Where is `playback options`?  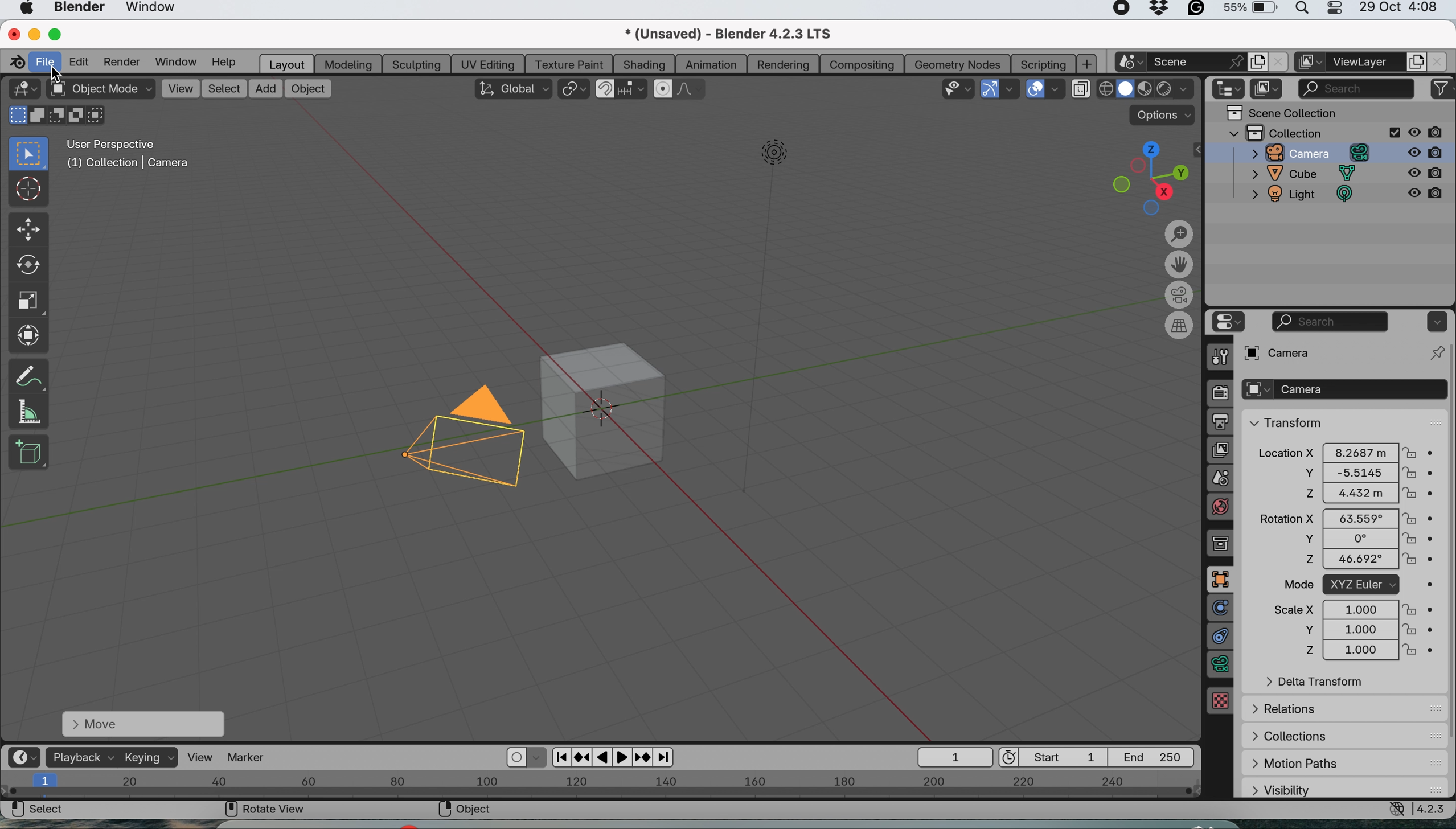 playback options is located at coordinates (617, 758).